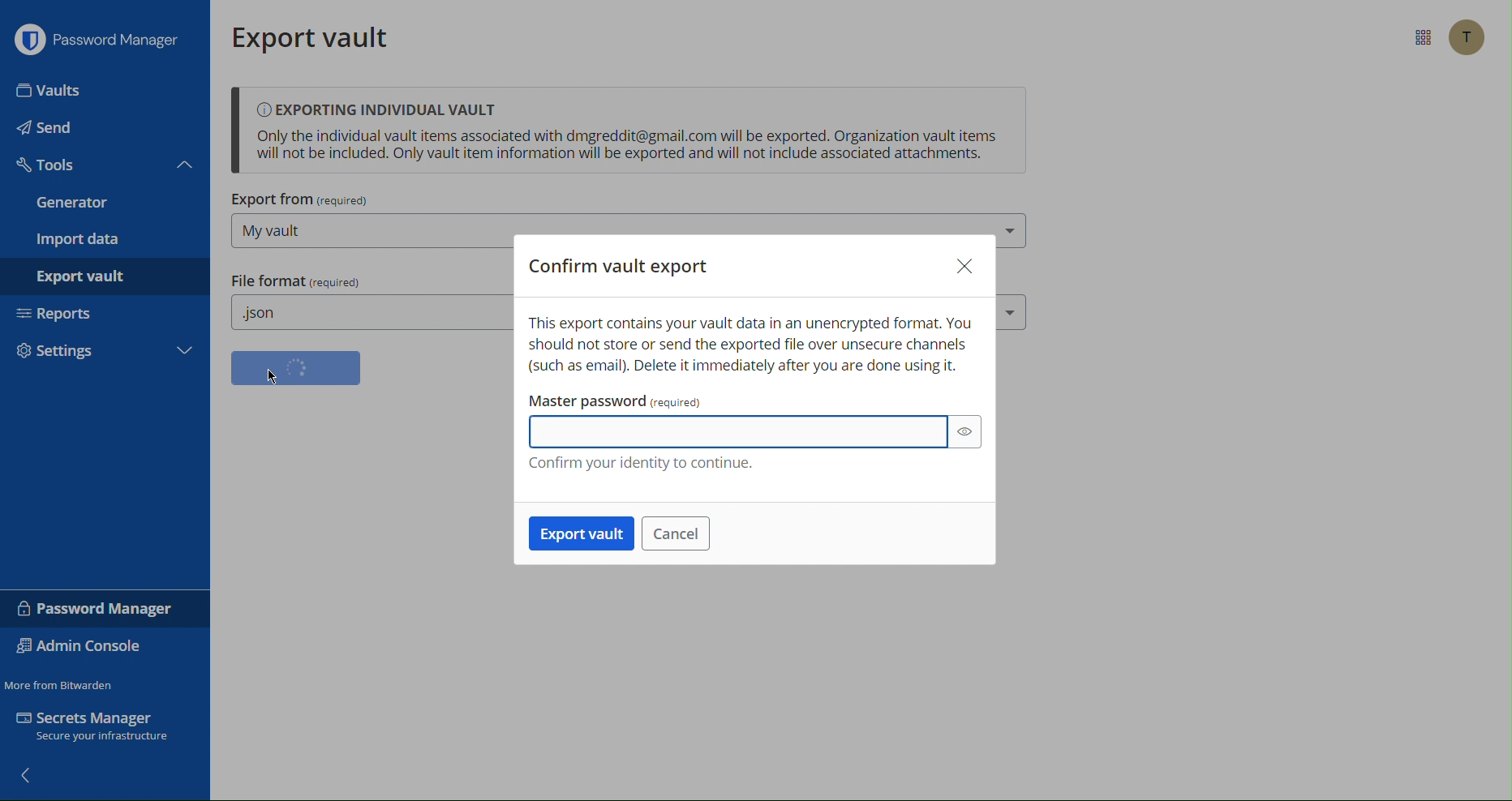 This screenshot has height=801, width=1512. I want to click on Export vault, so click(319, 37).